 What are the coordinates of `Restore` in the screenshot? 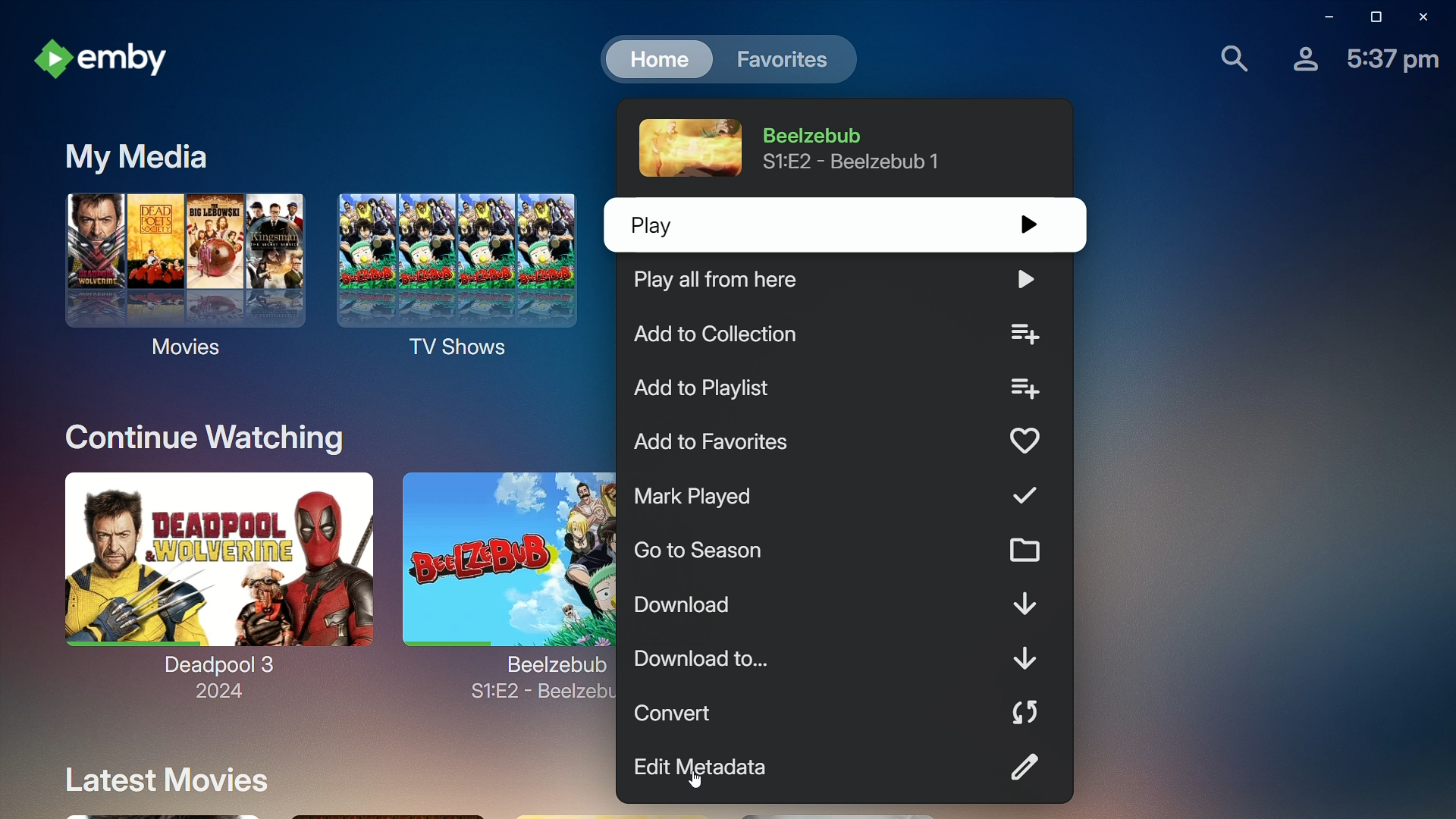 It's located at (1371, 20).